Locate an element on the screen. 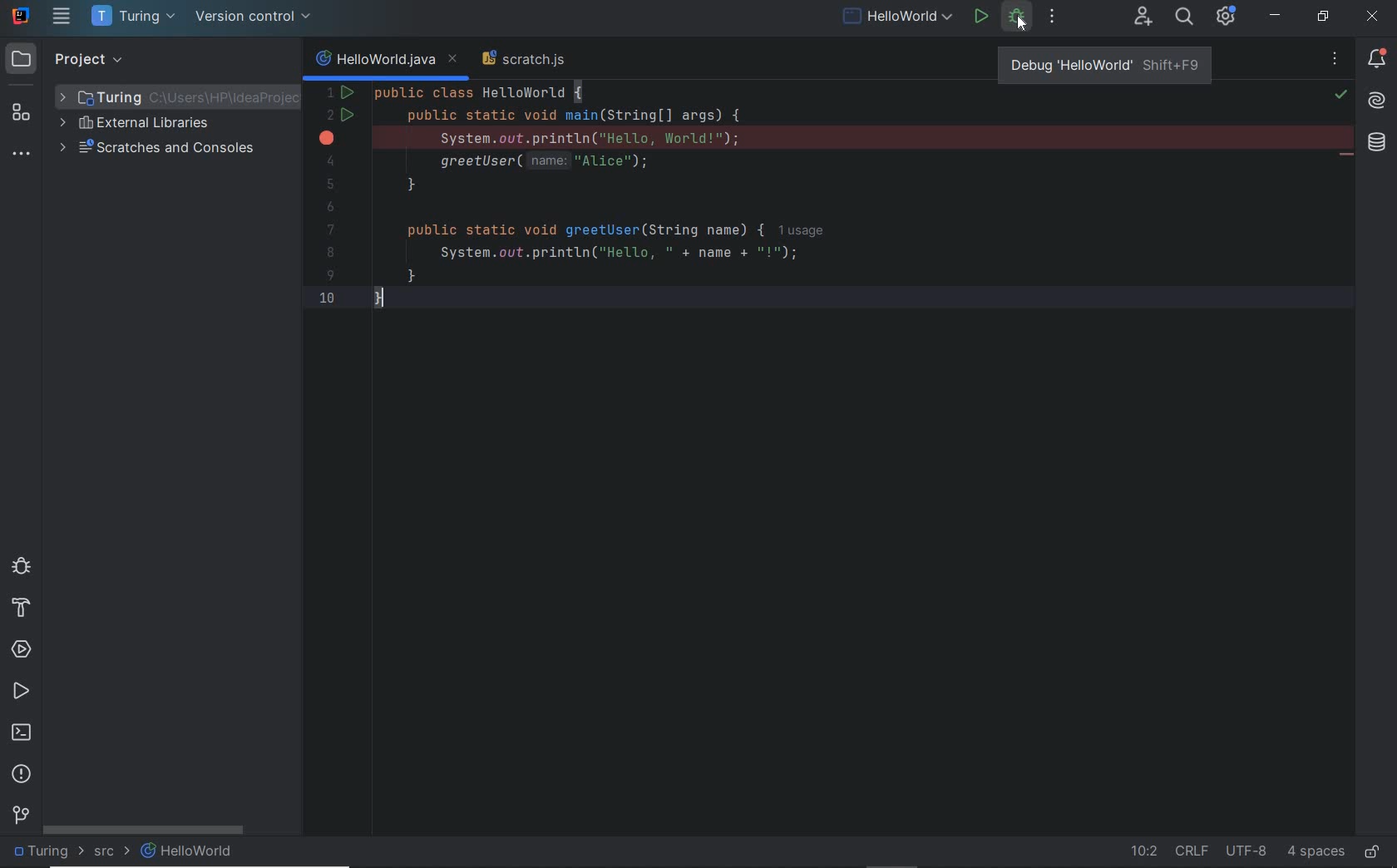  code with me is located at coordinates (1142, 17).